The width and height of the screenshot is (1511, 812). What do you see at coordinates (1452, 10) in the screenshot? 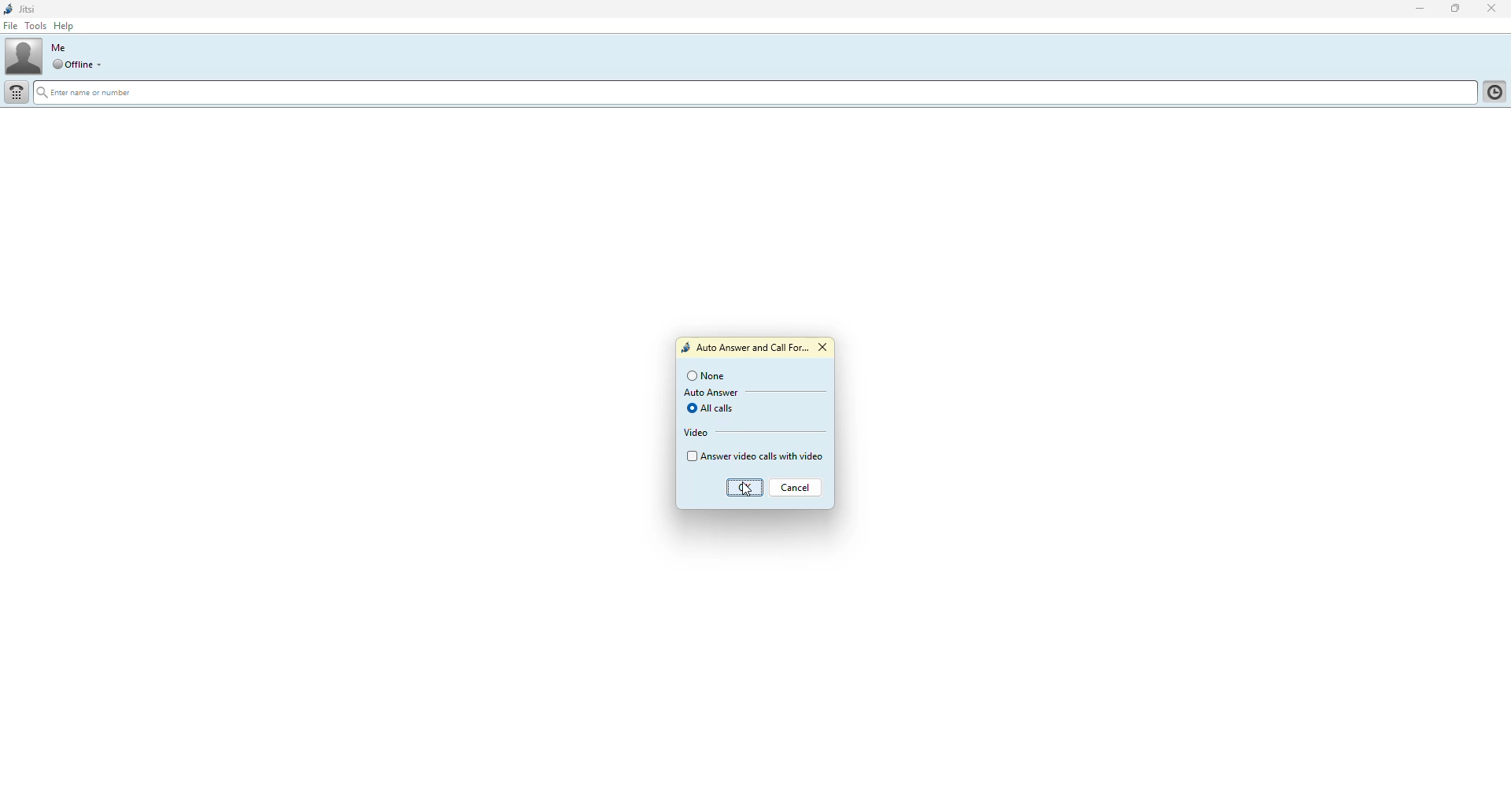
I see `maximize` at bounding box center [1452, 10].